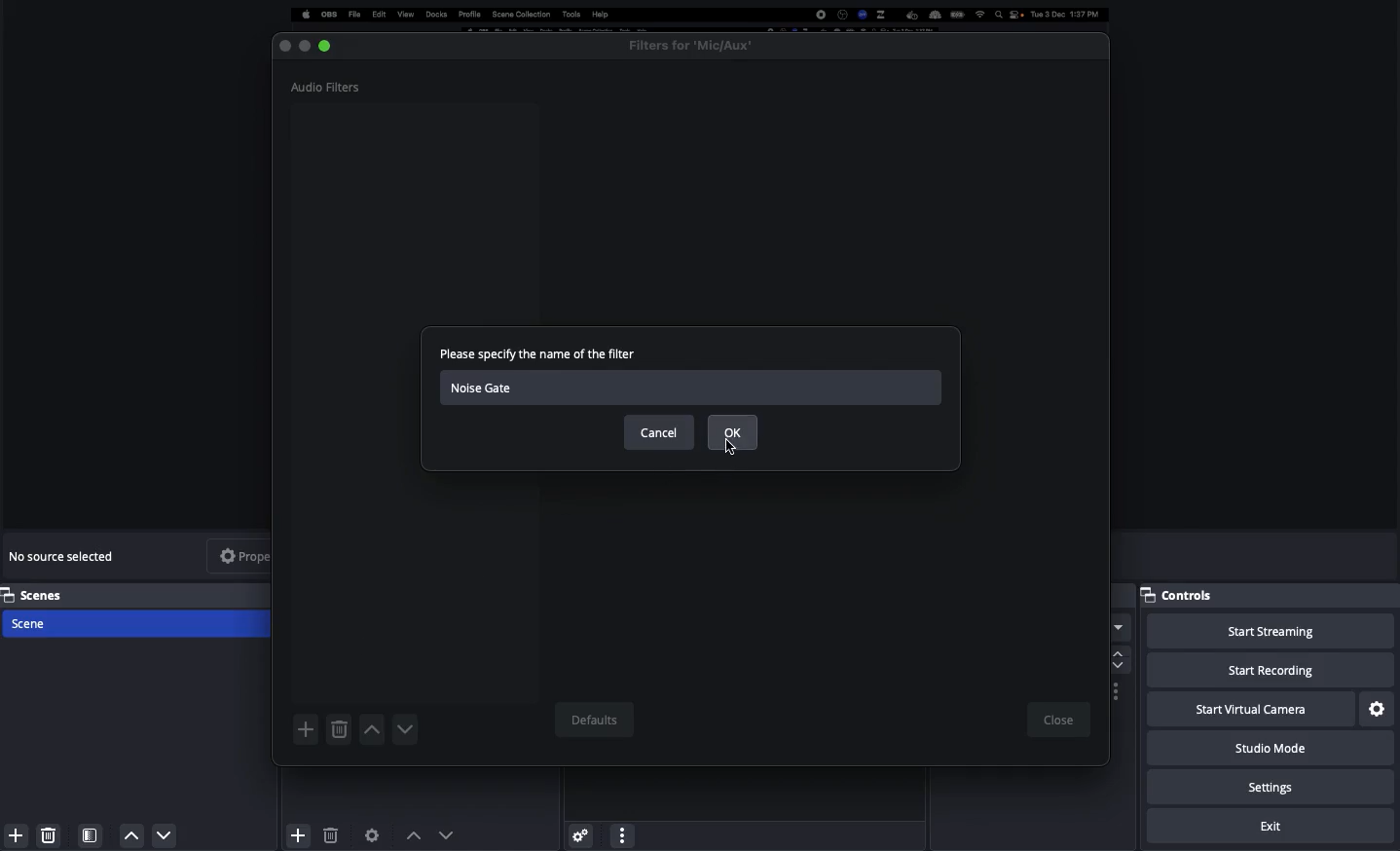 Image resolution: width=1400 pixels, height=851 pixels. Describe the element at coordinates (579, 832) in the screenshot. I see `Settings` at that location.